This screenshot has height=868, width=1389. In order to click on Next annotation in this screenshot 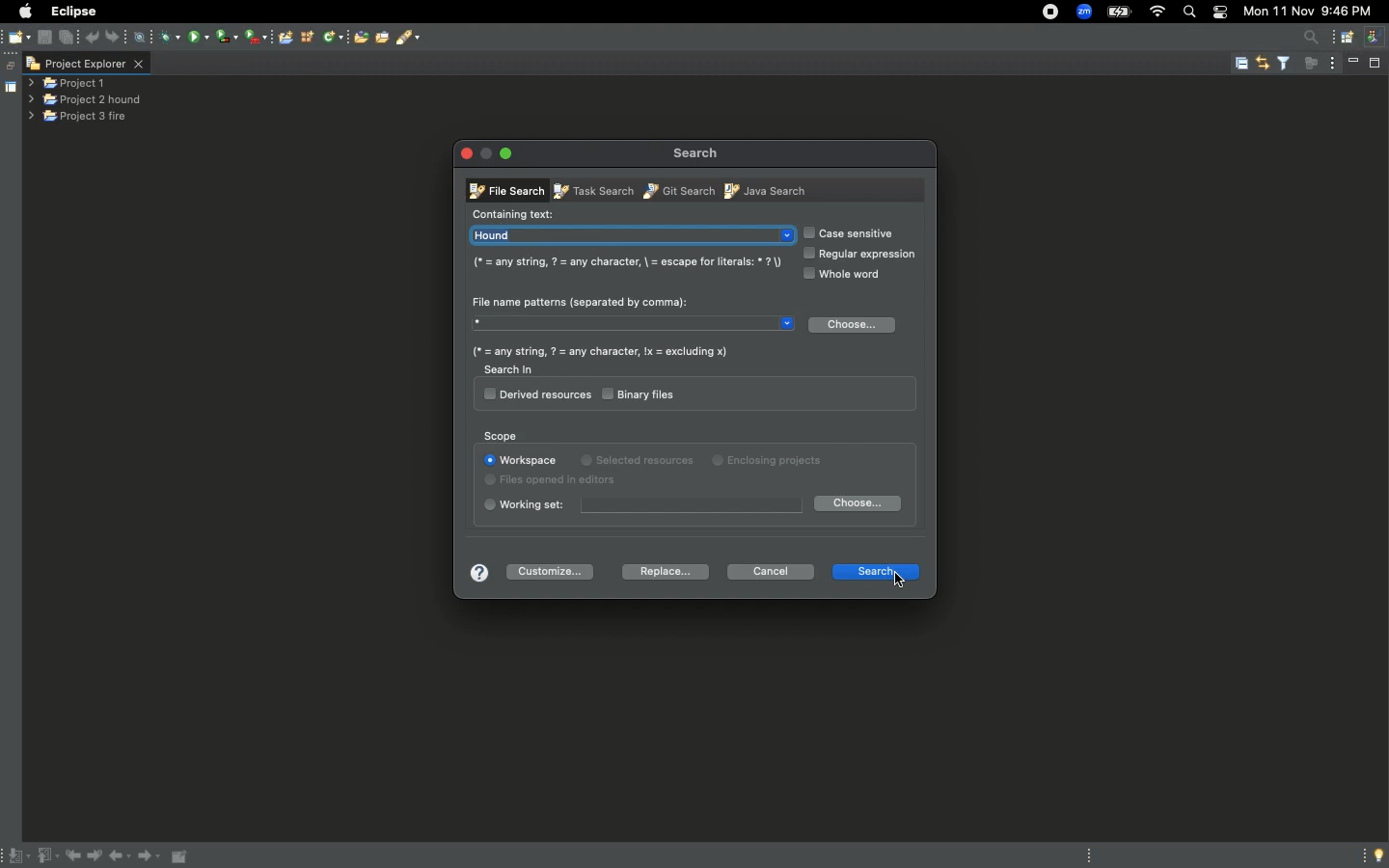, I will do `click(16, 856)`.